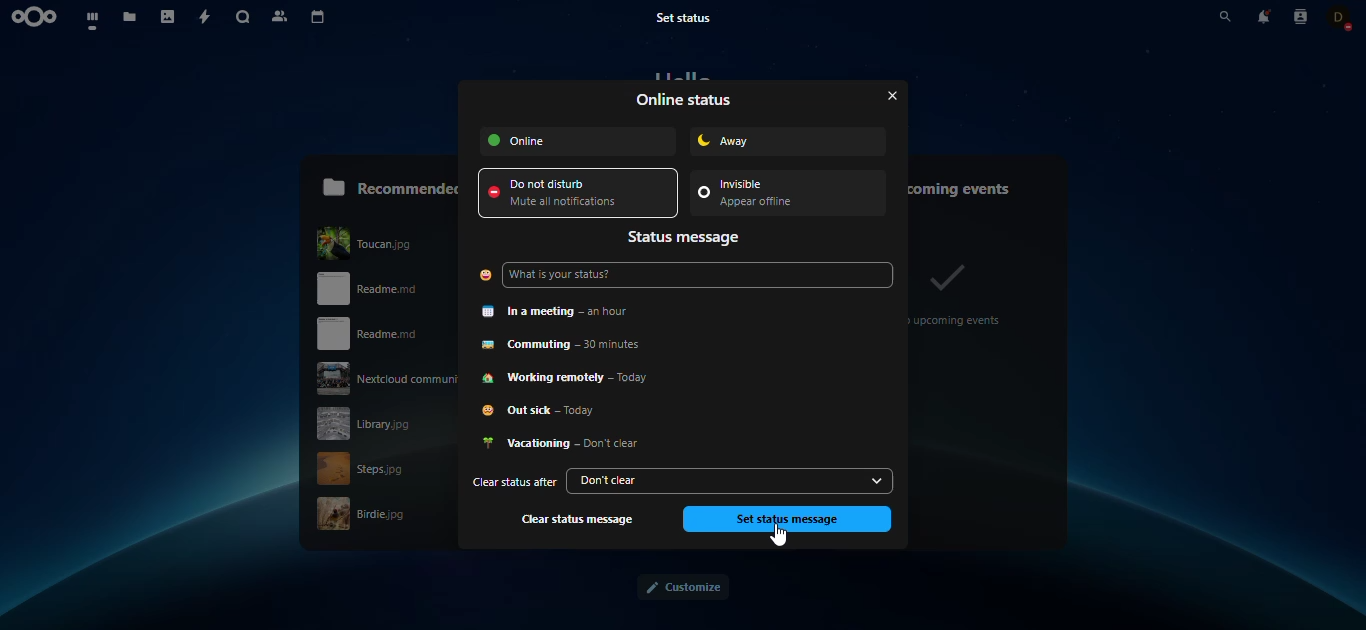 The image size is (1366, 630). I want to click on close, so click(886, 95).